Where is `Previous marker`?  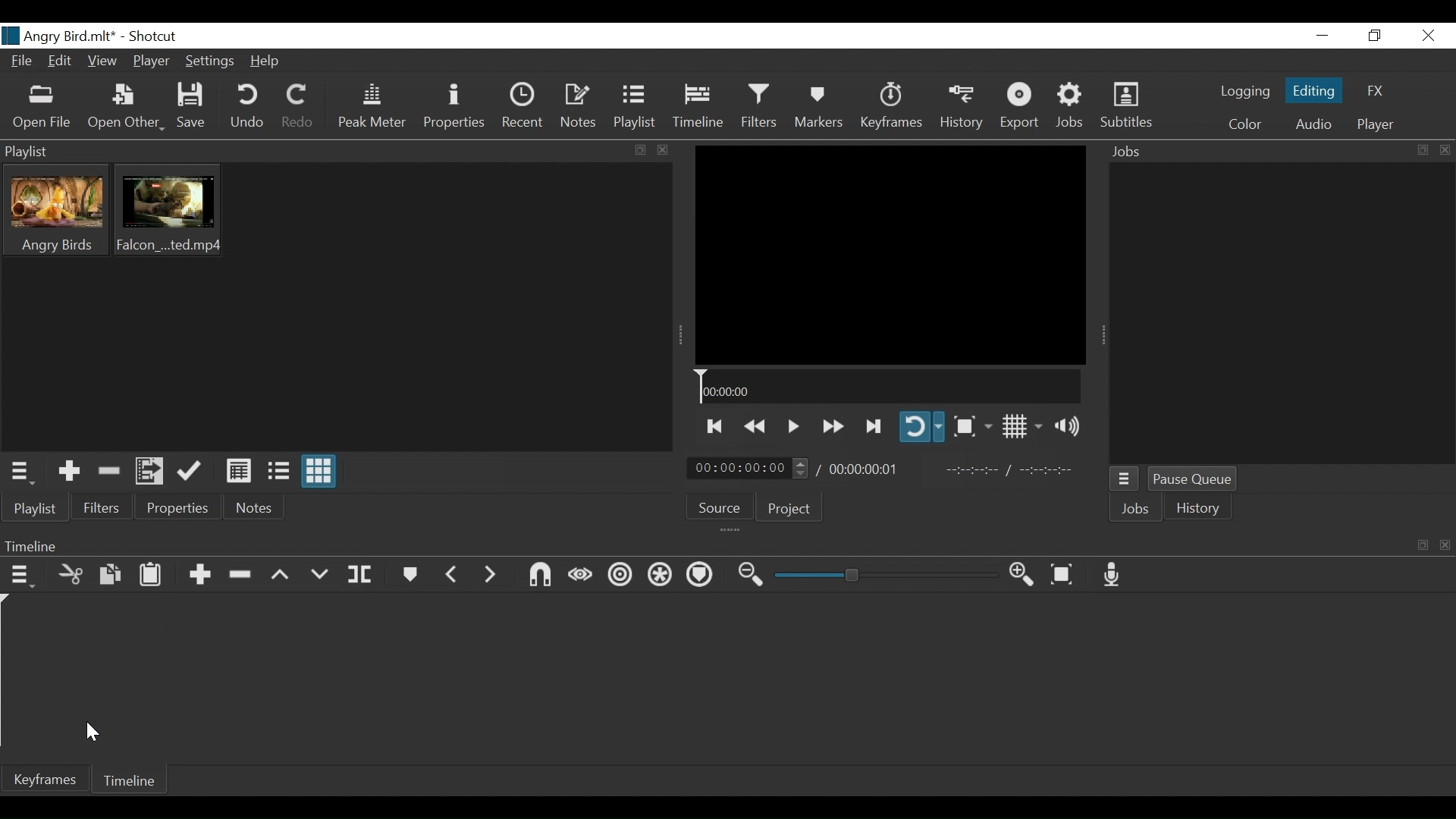 Previous marker is located at coordinates (453, 576).